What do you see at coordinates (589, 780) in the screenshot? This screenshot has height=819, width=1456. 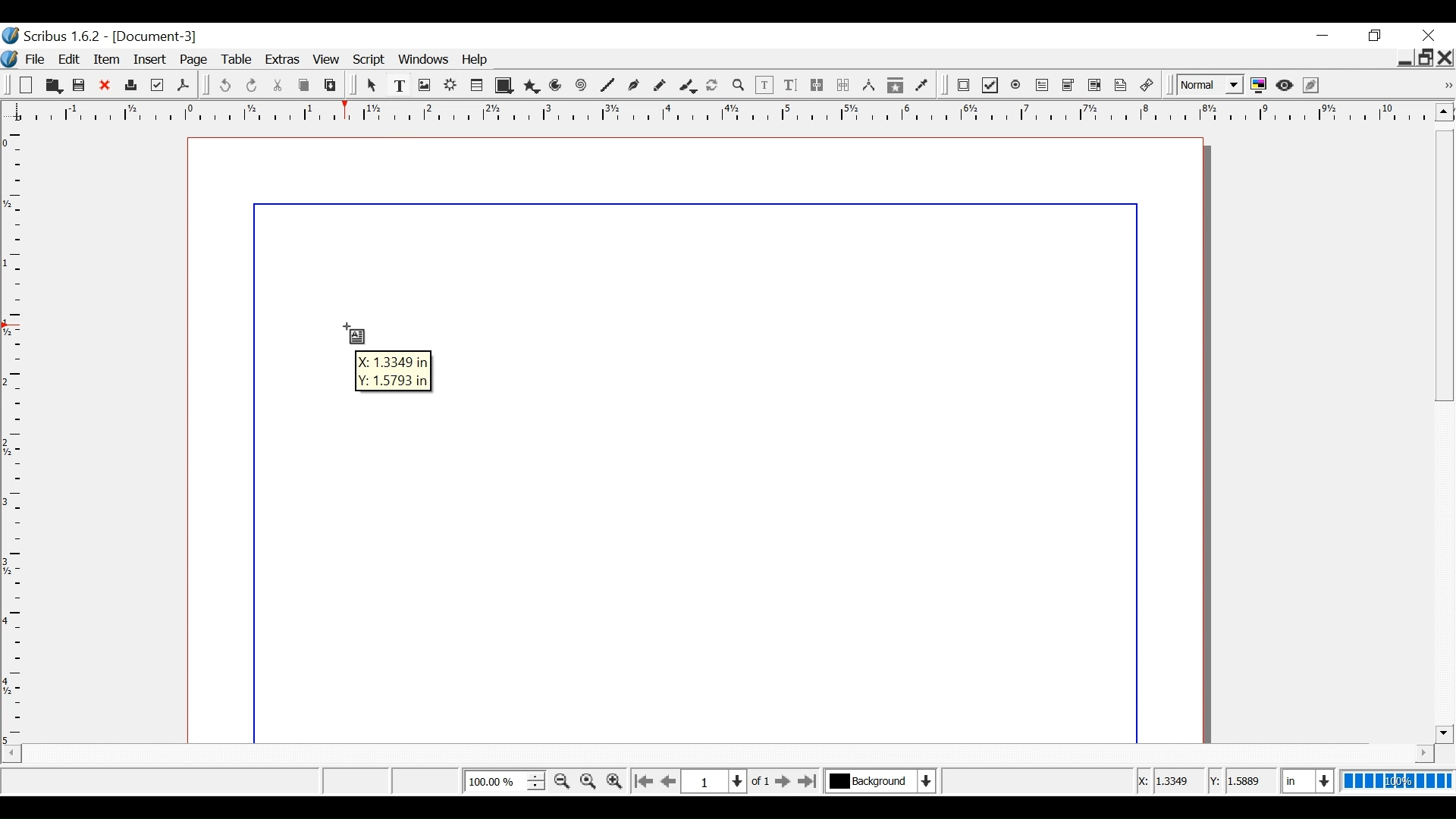 I see `Reset Zoom` at bounding box center [589, 780].